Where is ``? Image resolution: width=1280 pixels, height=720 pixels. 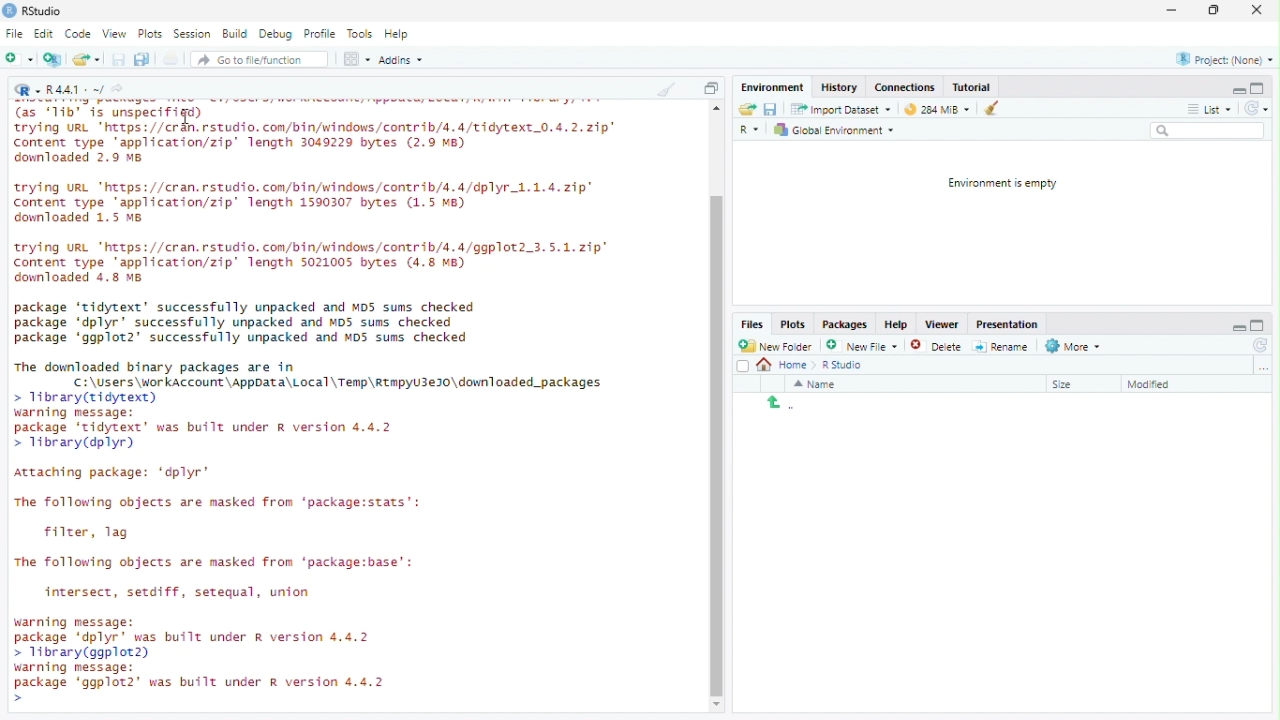
 is located at coordinates (775, 88).